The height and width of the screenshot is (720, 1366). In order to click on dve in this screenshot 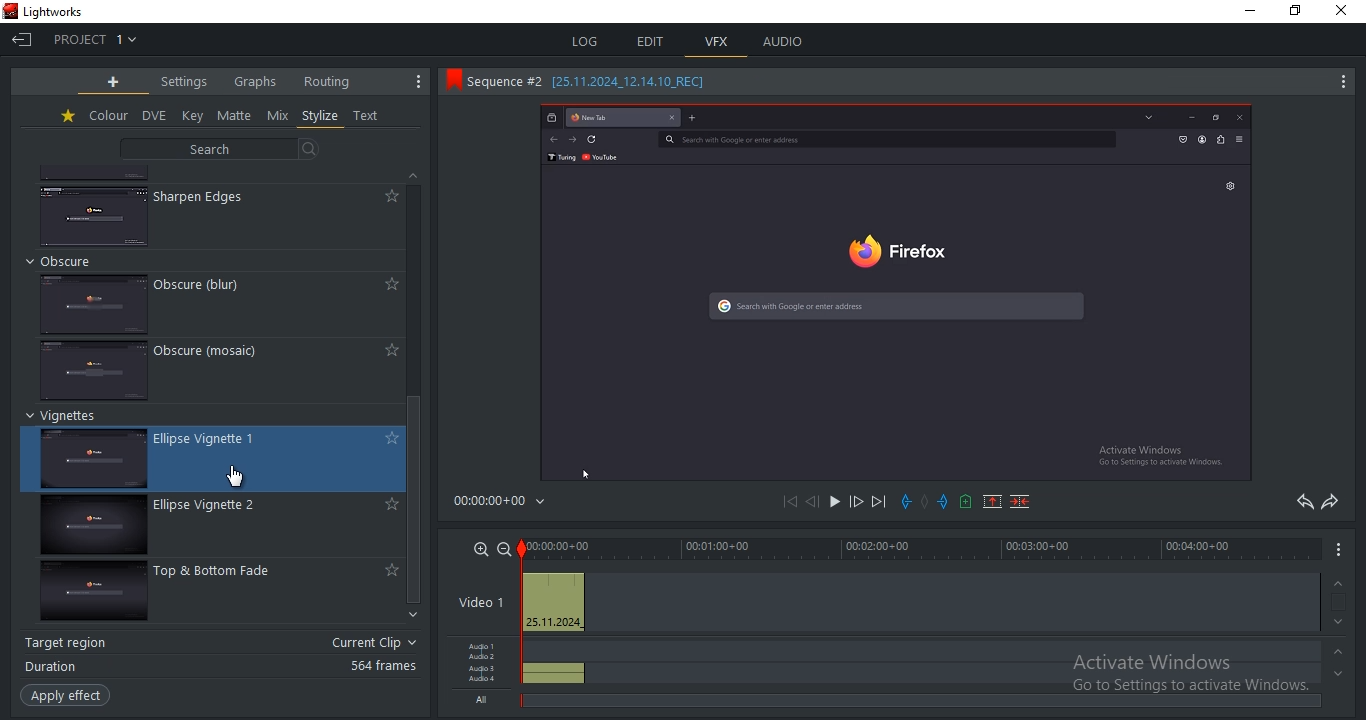, I will do `click(153, 116)`.